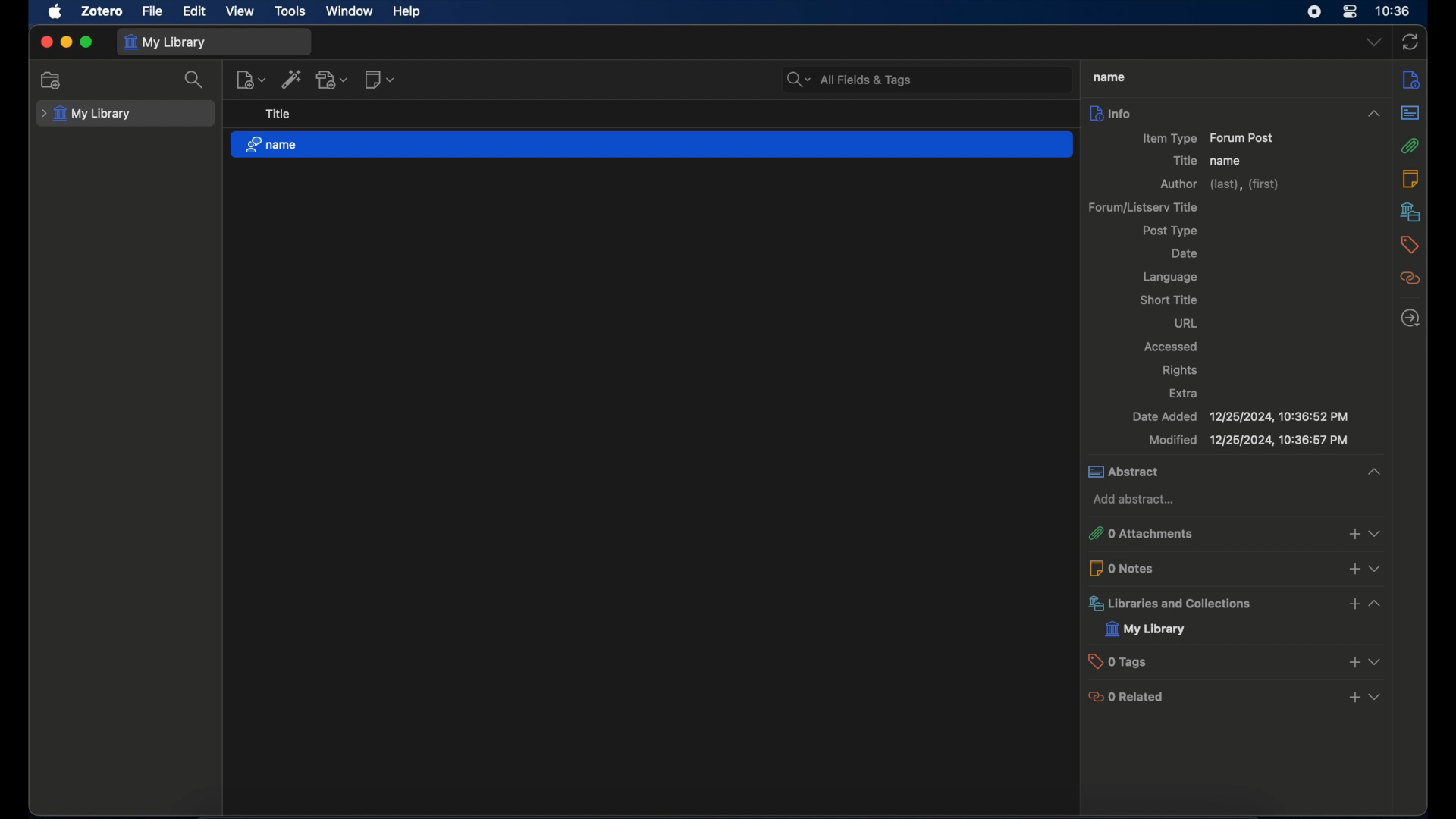  What do you see at coordinates (54, 11) in the screenshot?
I see `apple` at bounding box center [54, 11].